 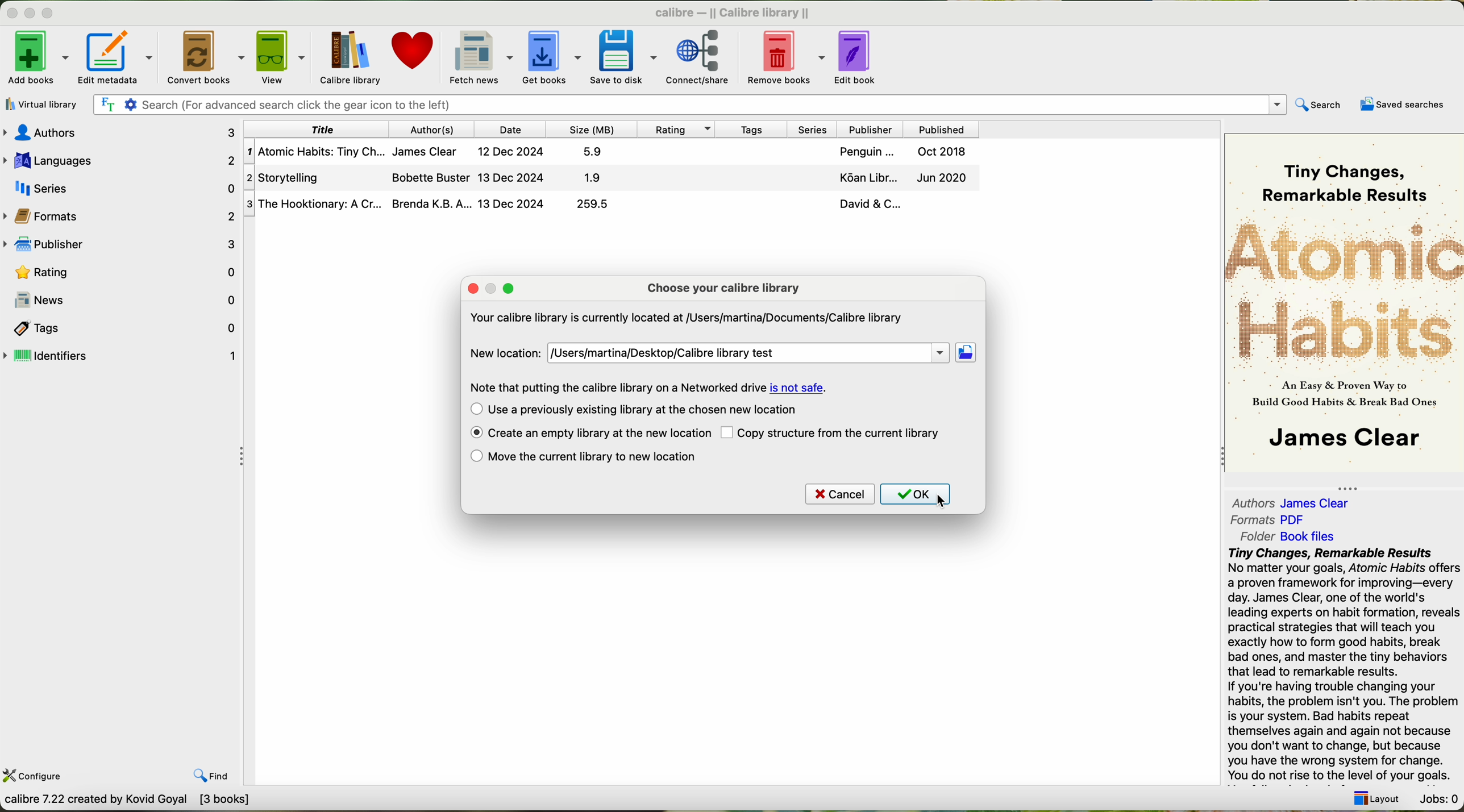 What do you see at coordinates (168, 802) in the screenshot?
I see `Choose calbre library to work with Calbre Library [3book}` at bounding box center [168, 802].